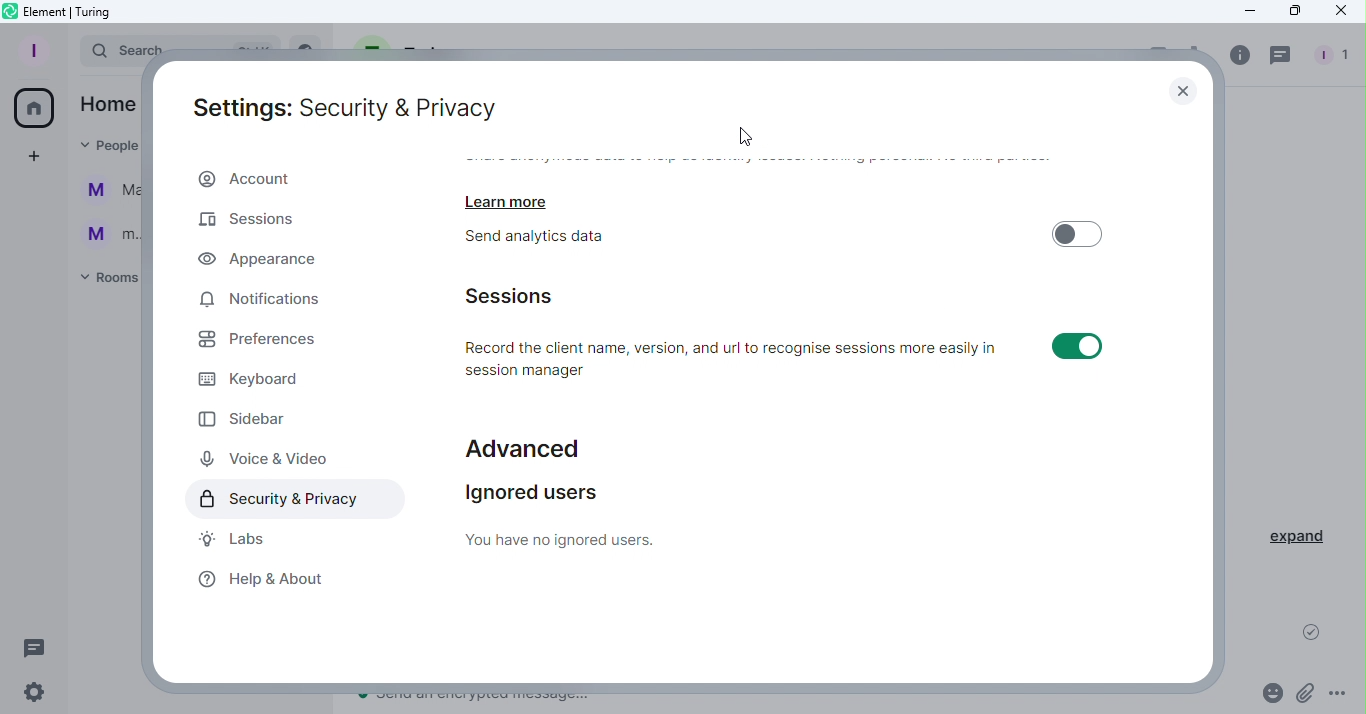 The image size is (1366, 714). What do you see at coordinates (750, 138) in the screenshot?
I see `Cursor` at bounding box center [750, 138].